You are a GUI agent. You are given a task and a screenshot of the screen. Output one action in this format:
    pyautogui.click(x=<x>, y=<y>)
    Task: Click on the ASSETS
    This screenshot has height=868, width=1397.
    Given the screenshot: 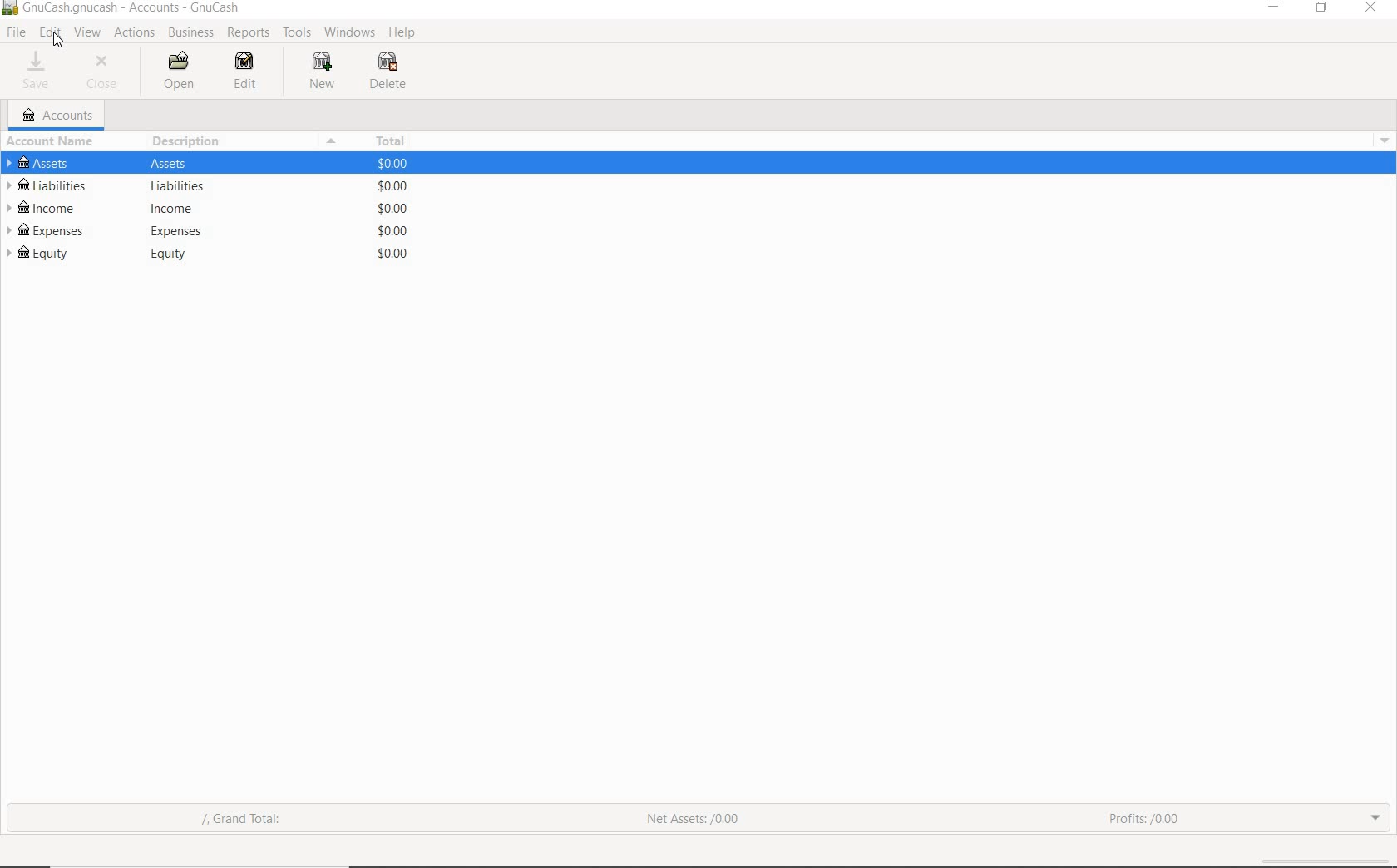 What is the action you would take?
    pyautogui.click(x=39, y=164)
    